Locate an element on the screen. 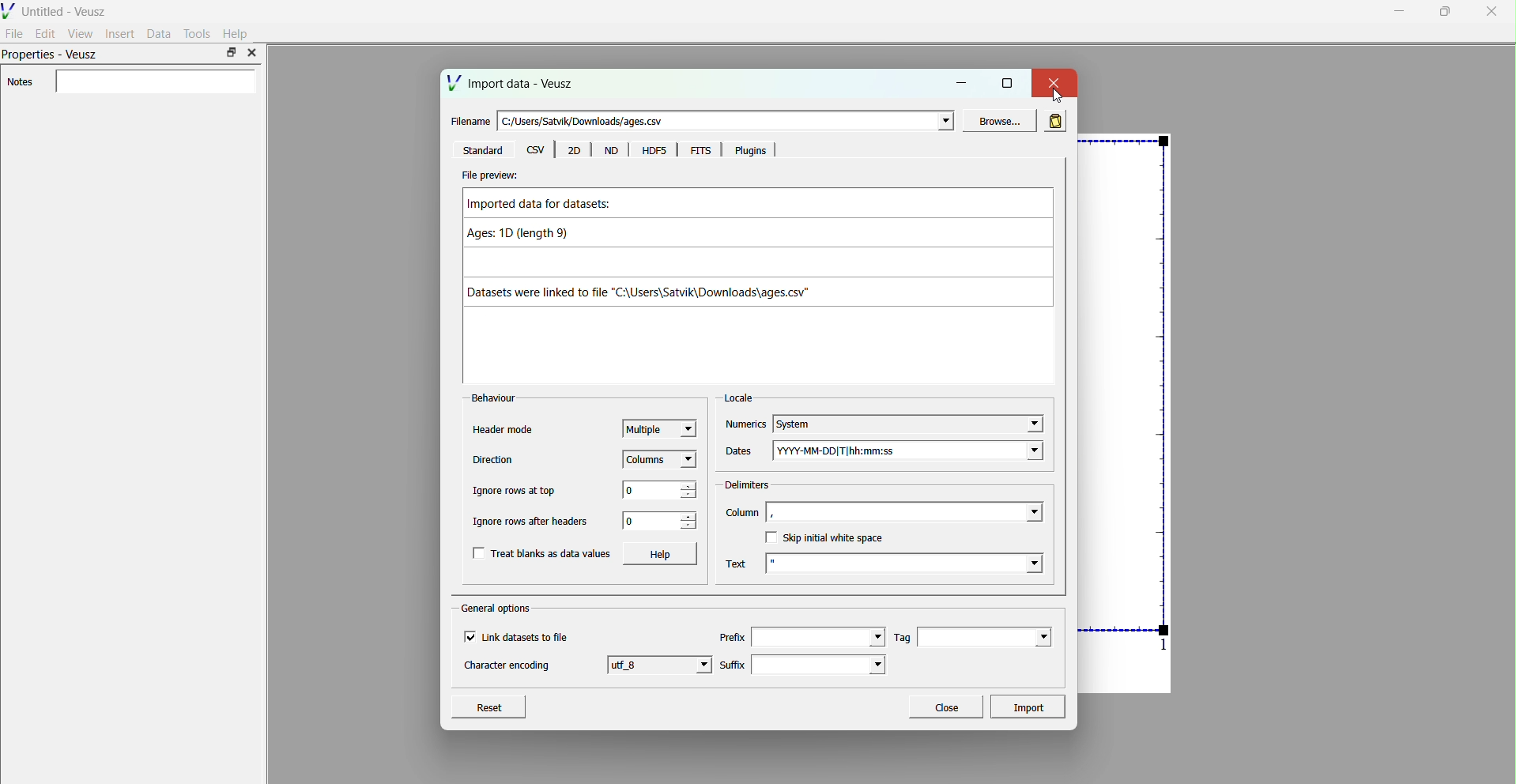 This screenshot has width=1516, height=784. maximise is located at coordinates (231, 52).